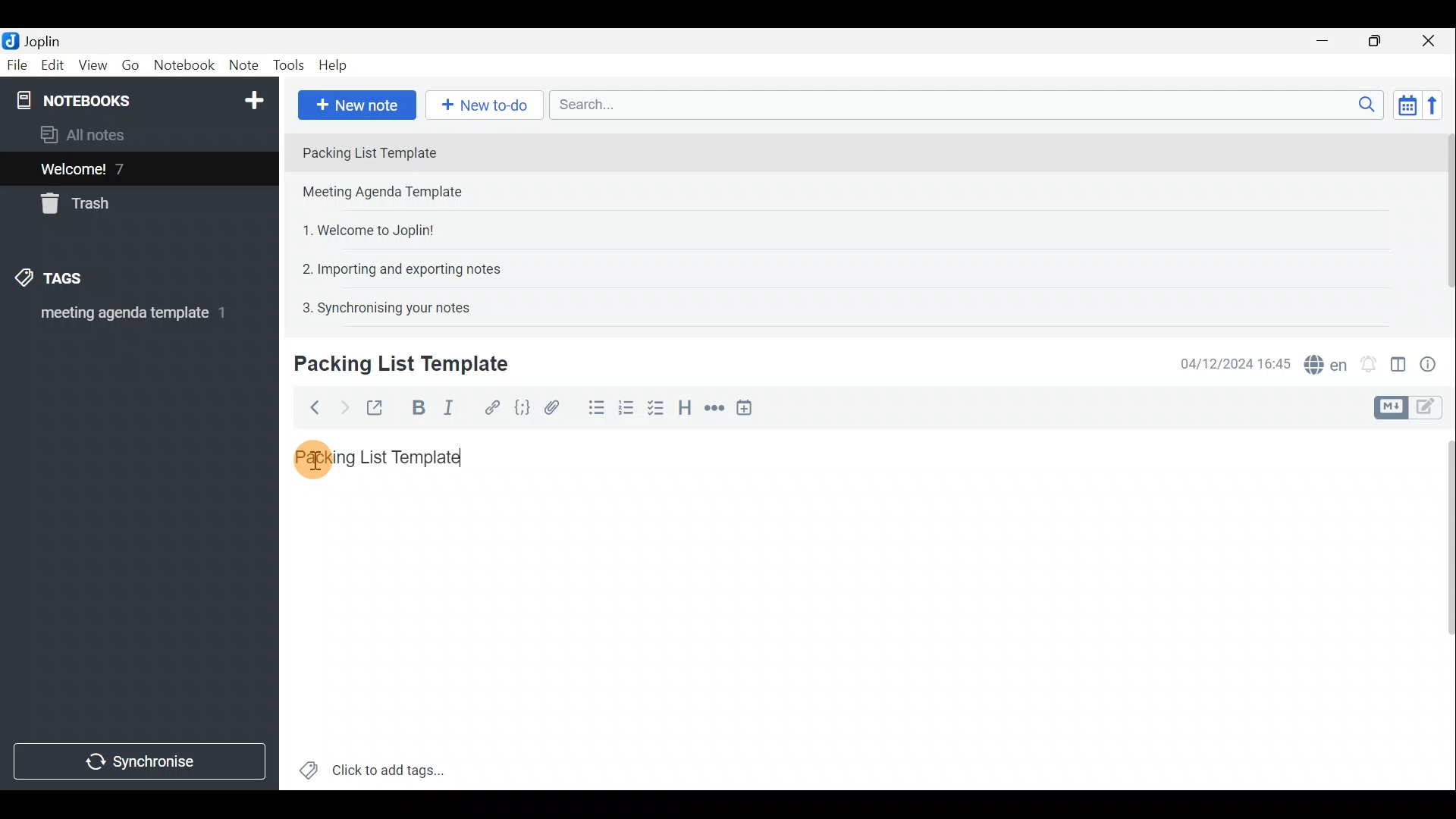  I want to click on Hyperlink, so click(489, 406).